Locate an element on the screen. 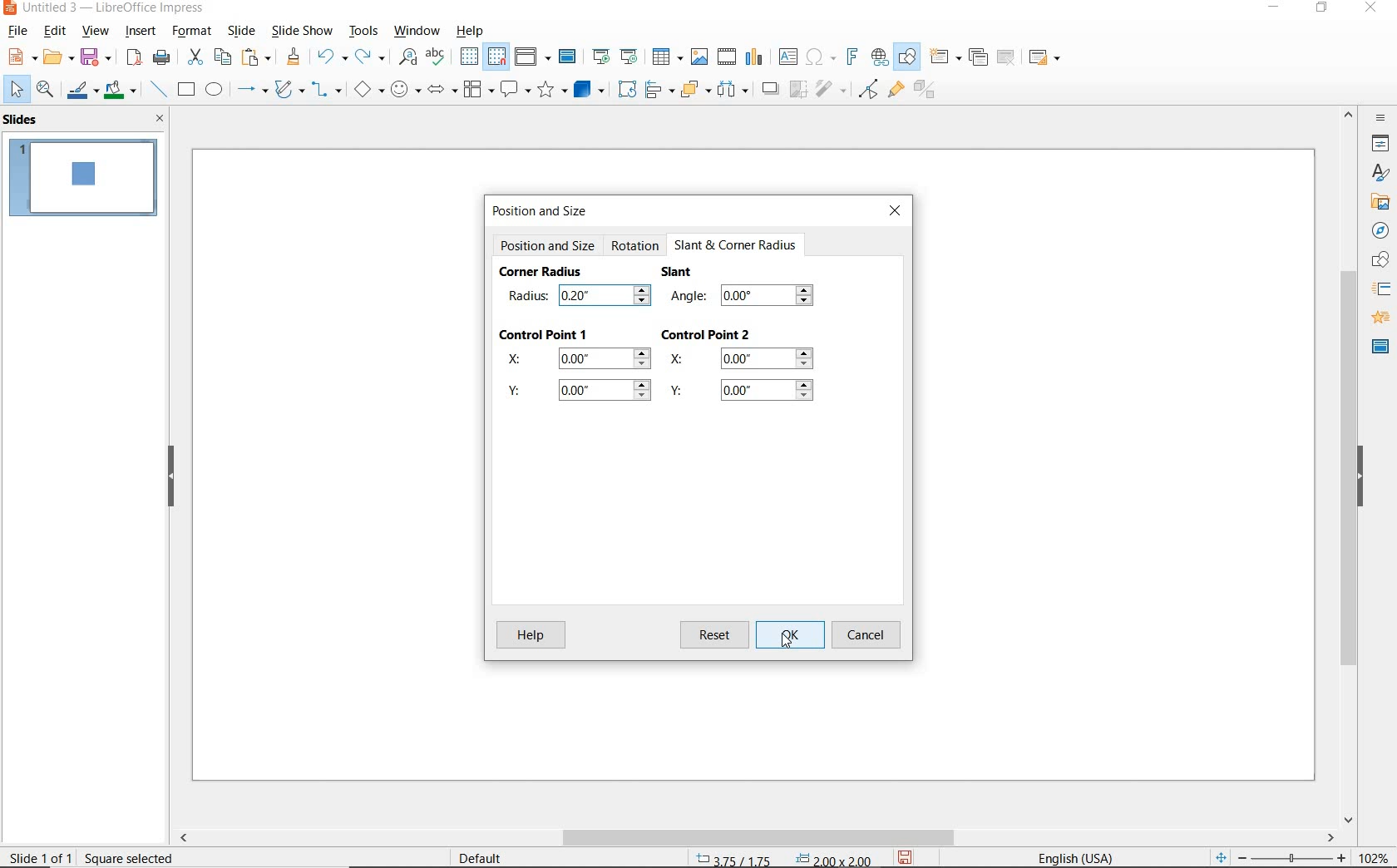  cursor is located at coordinates (644, 296).